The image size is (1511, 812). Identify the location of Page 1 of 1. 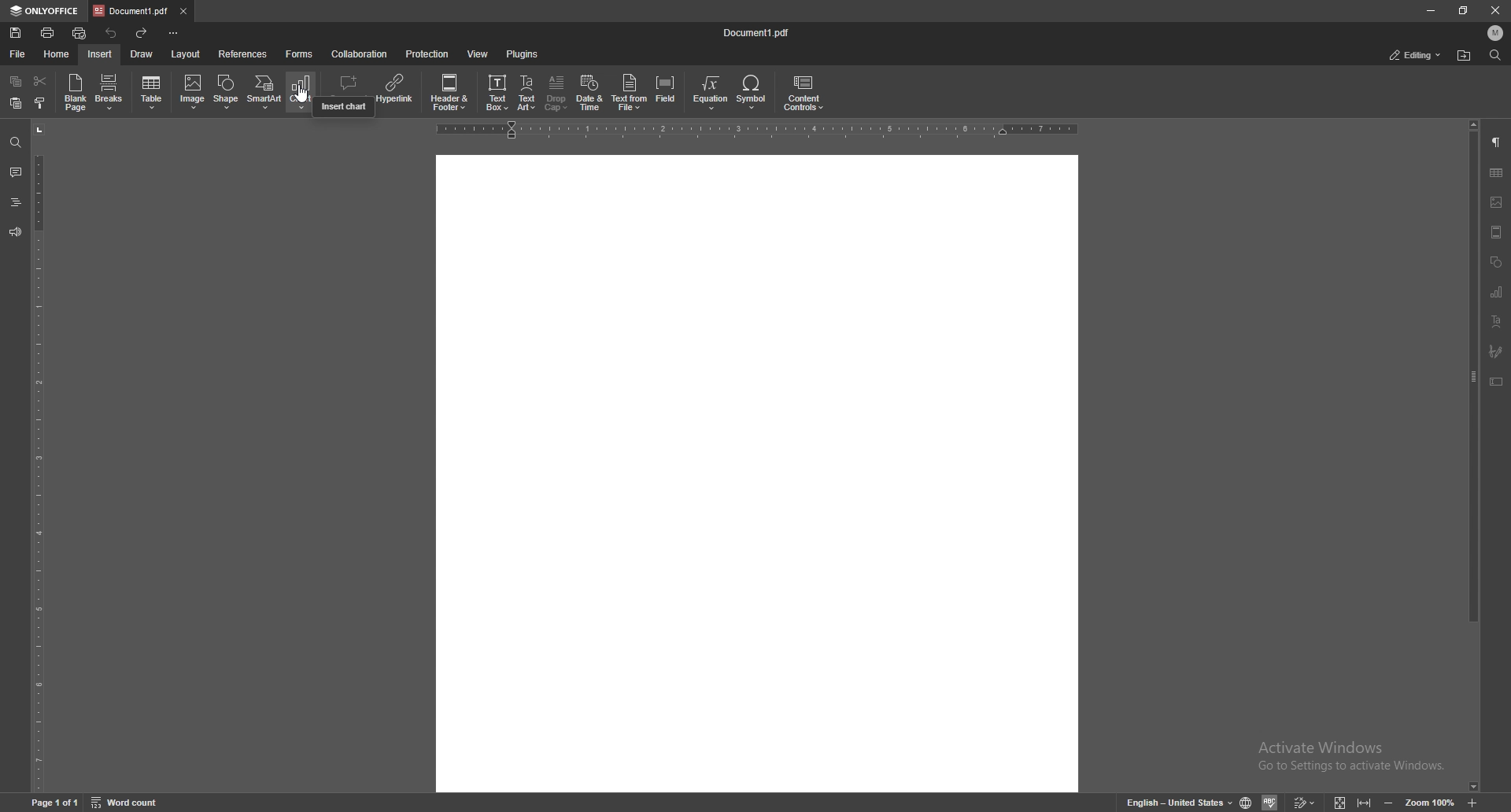
(57, 801).